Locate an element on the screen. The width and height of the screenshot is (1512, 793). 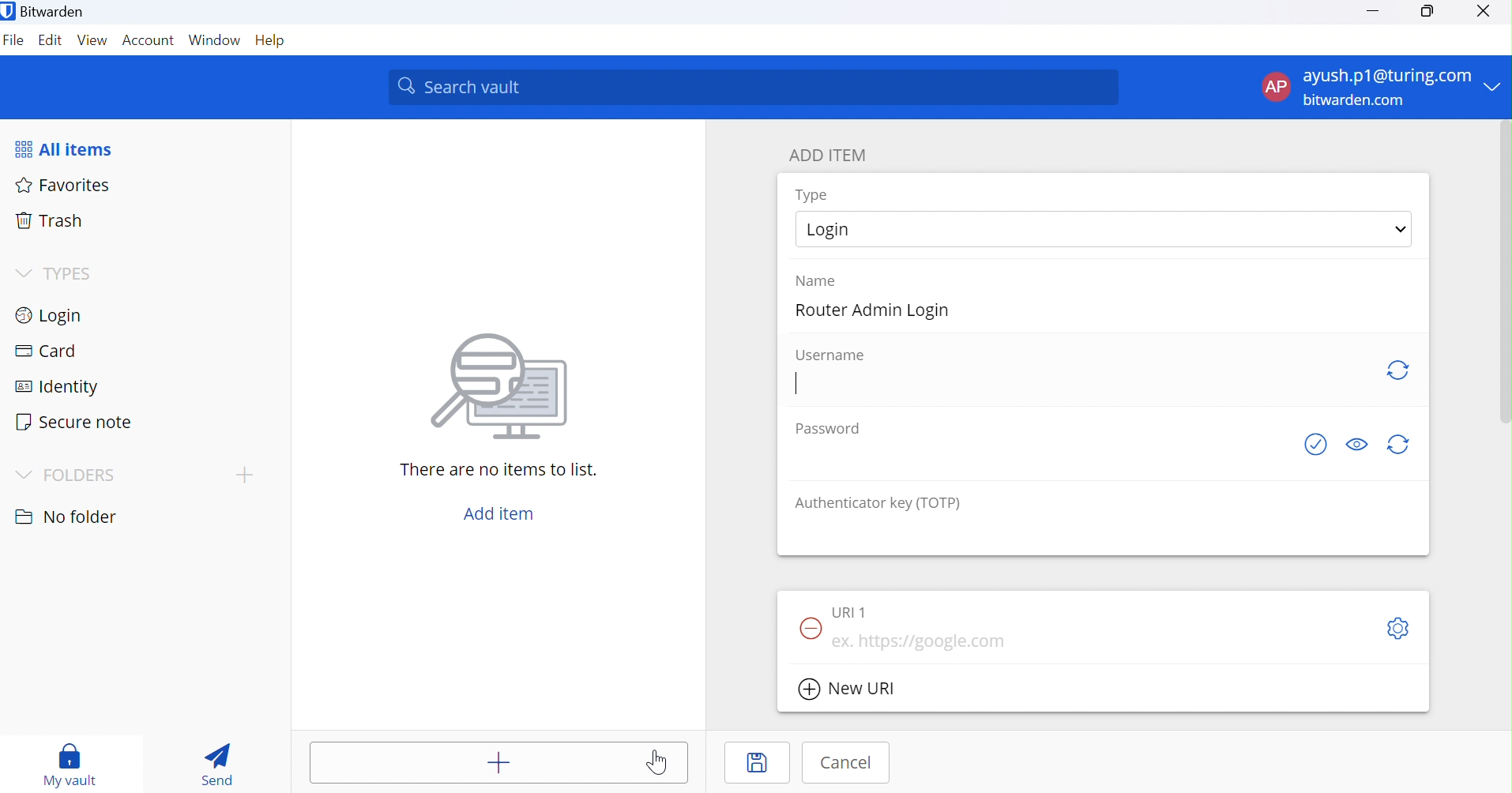
Remove is located at coordinates (810, 630).